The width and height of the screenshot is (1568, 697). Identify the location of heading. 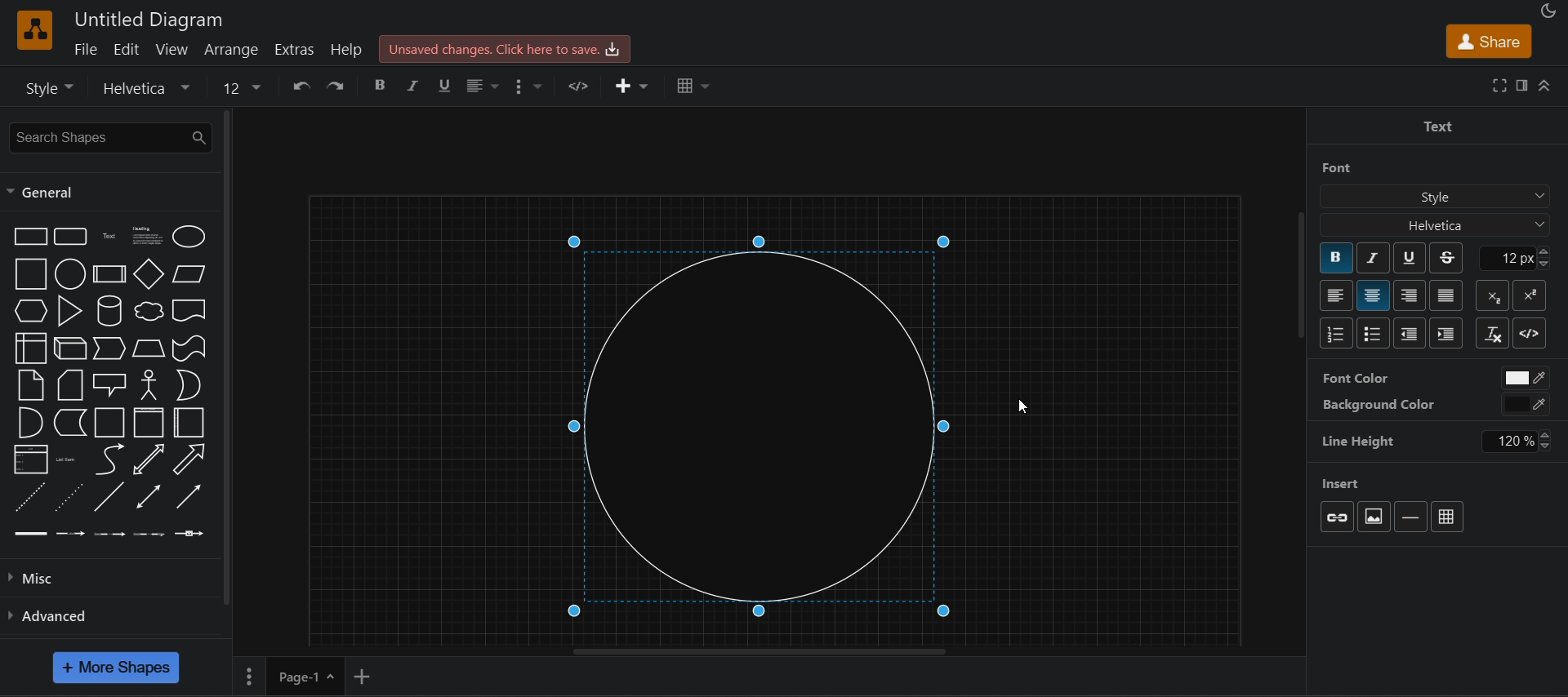
(146, 238).